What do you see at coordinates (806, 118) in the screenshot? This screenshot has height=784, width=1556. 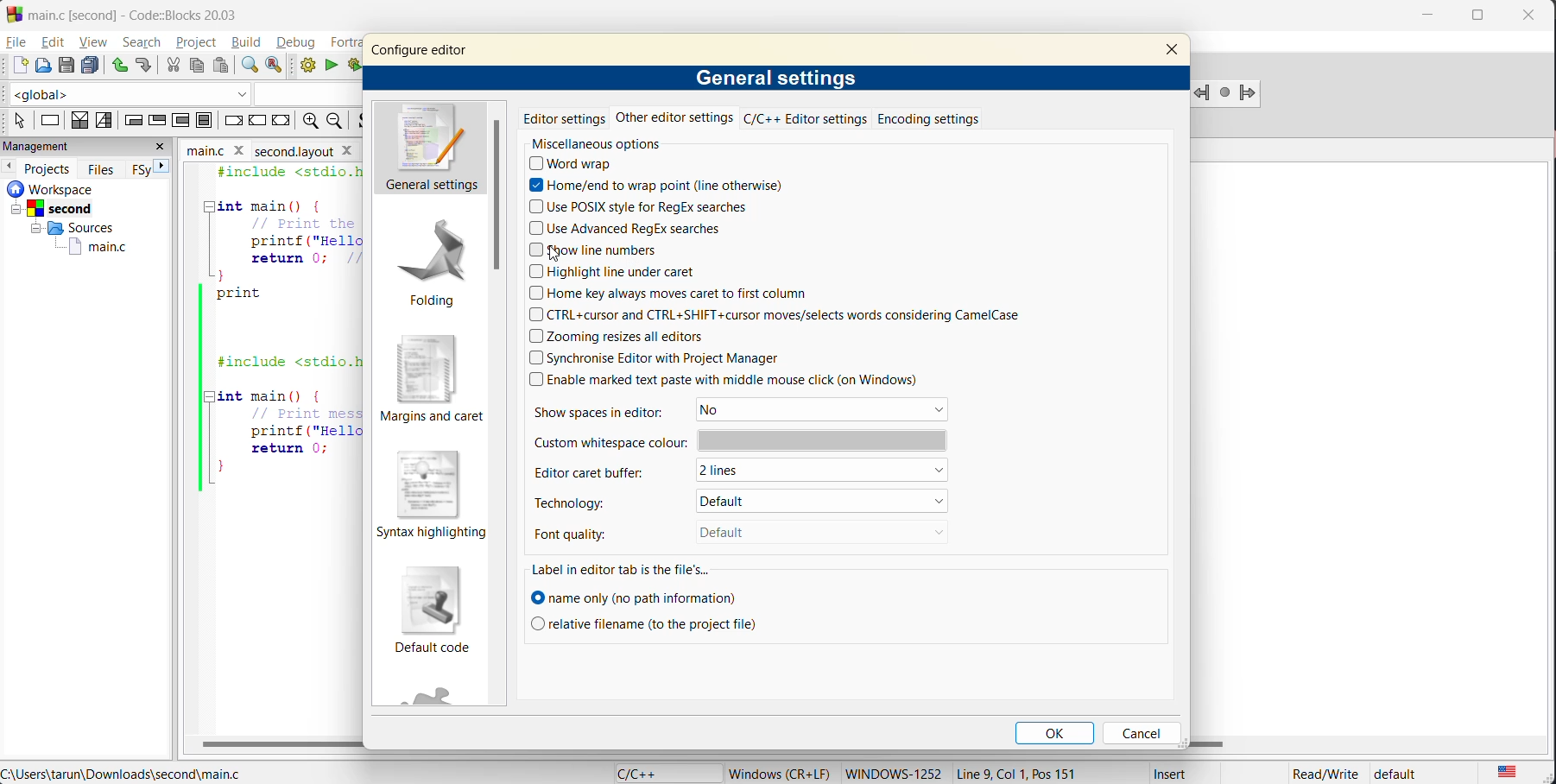 I see `c/c++ editor settings` at bounding box center [806, 118].